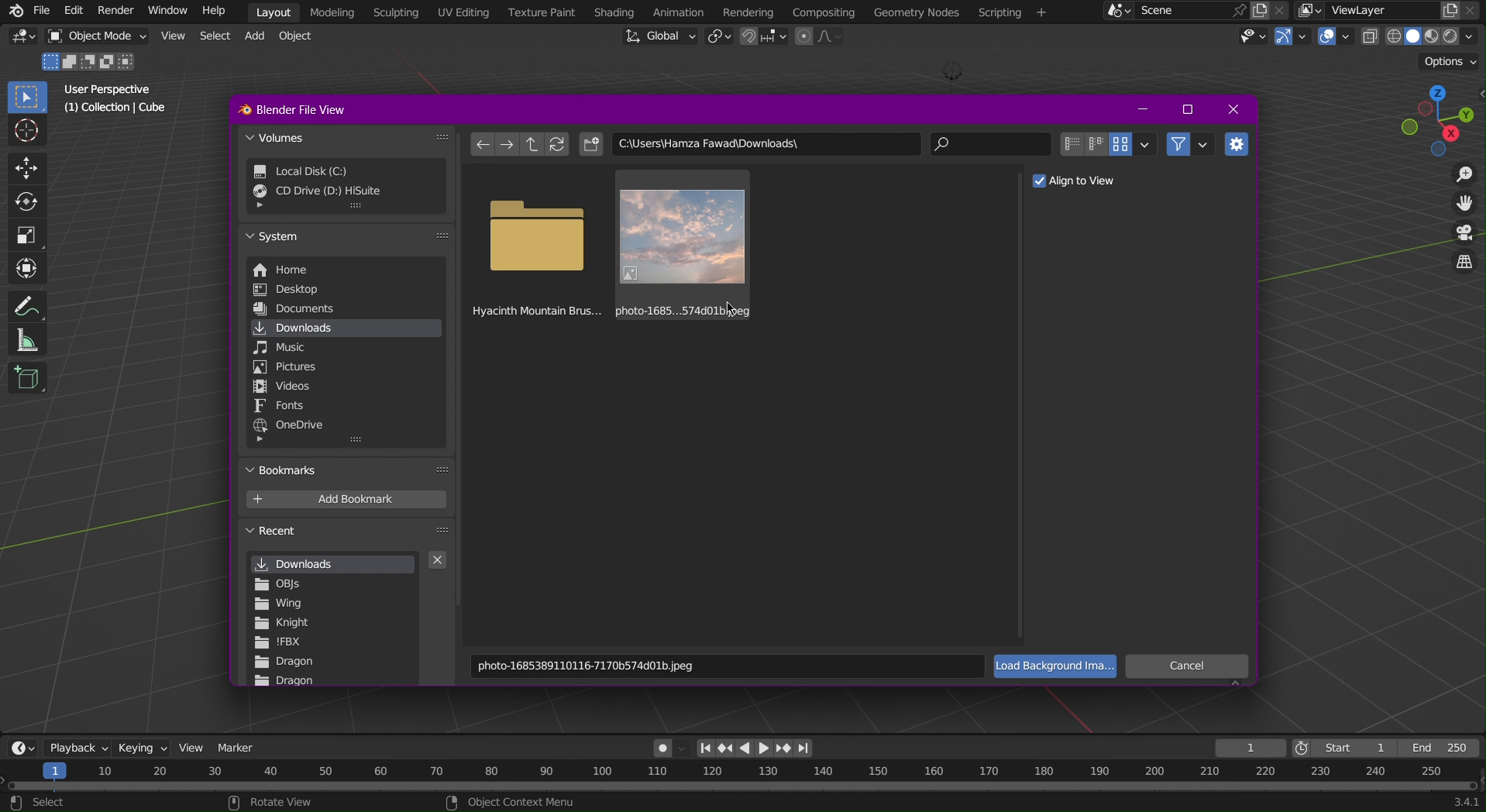 The image size is (1486, 812). What do you see at coordinates (1011, 14) in the screenshot?
I see `Scripting` at bounding box center [1011, 14].